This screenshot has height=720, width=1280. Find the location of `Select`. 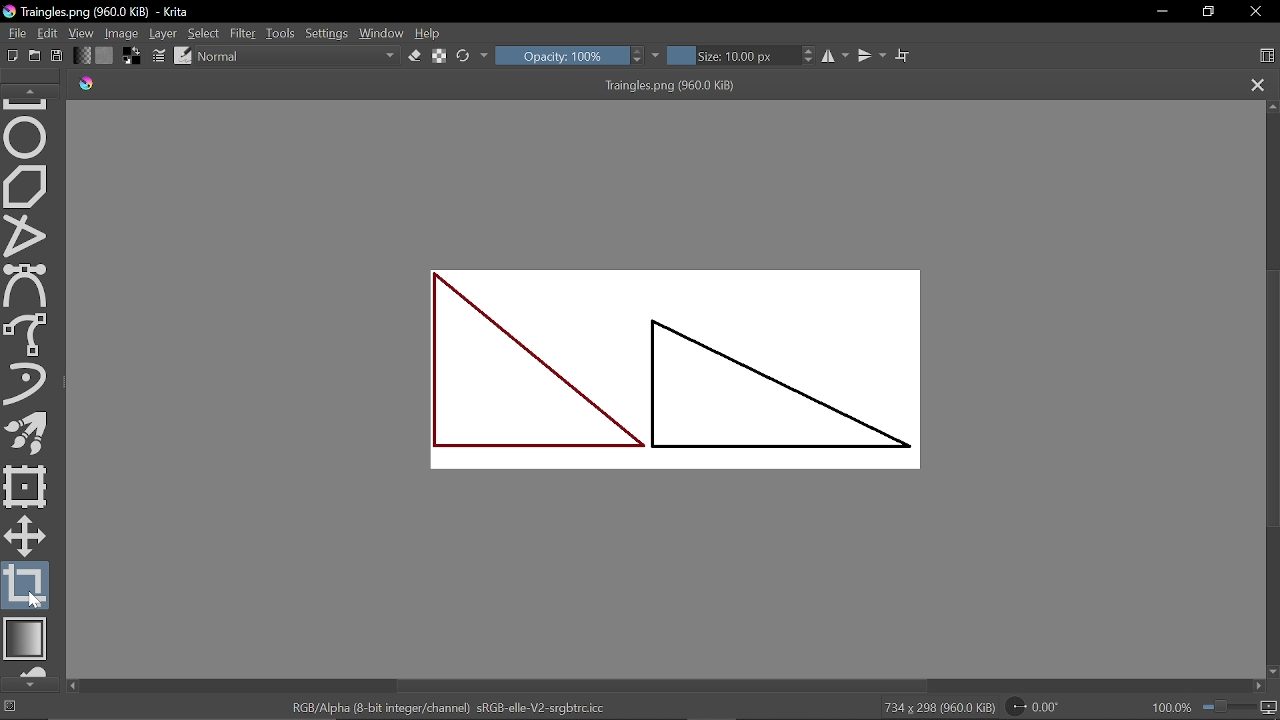

Select is located at coordinates (205, 34).